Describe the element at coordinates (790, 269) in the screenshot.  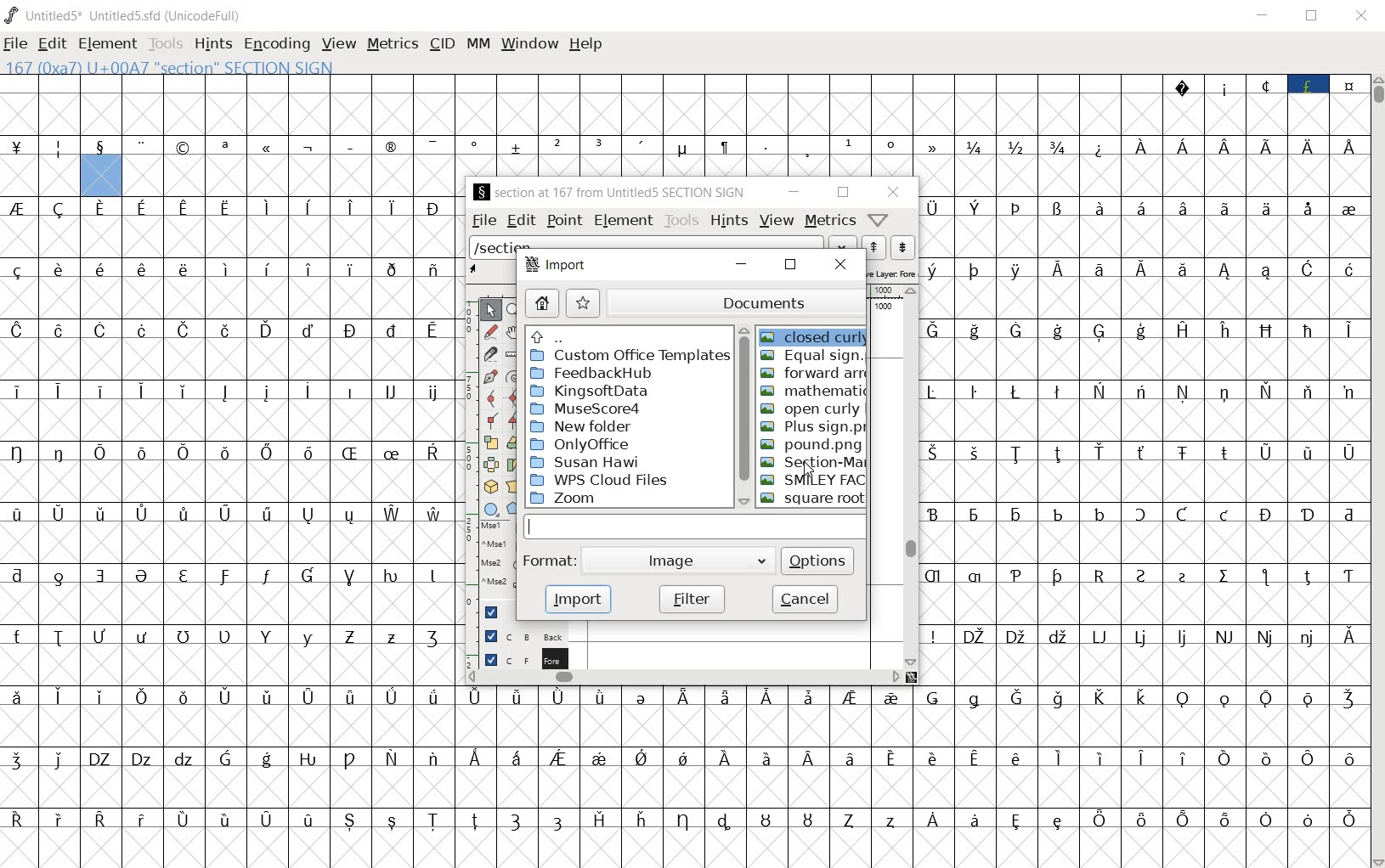
I see `restore` at that location.